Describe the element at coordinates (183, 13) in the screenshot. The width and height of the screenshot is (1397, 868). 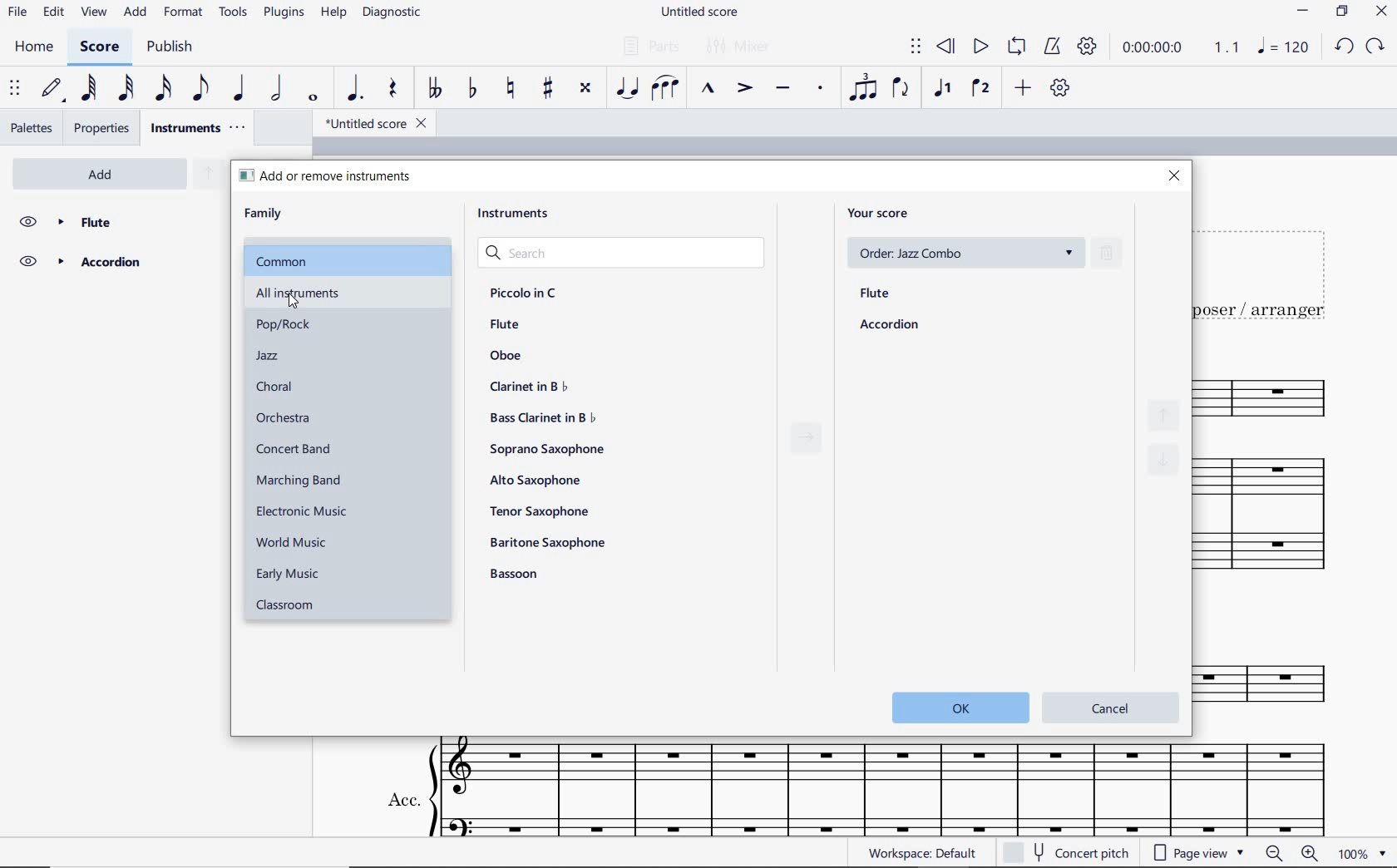
I see `FORMAT` at that location.